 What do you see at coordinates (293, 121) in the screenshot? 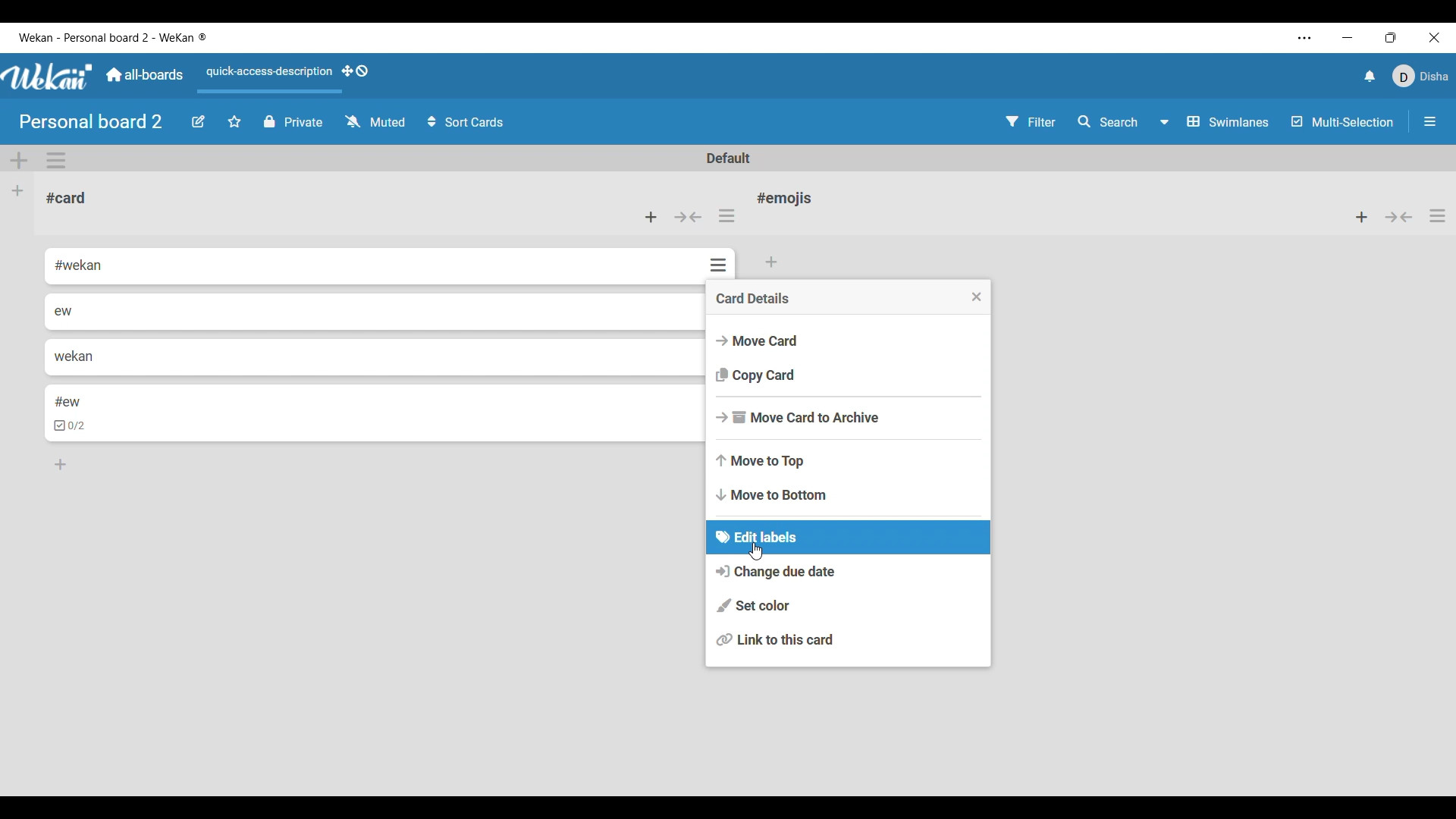
I see `Privacy status of current board` at bounding box center [293, 121].